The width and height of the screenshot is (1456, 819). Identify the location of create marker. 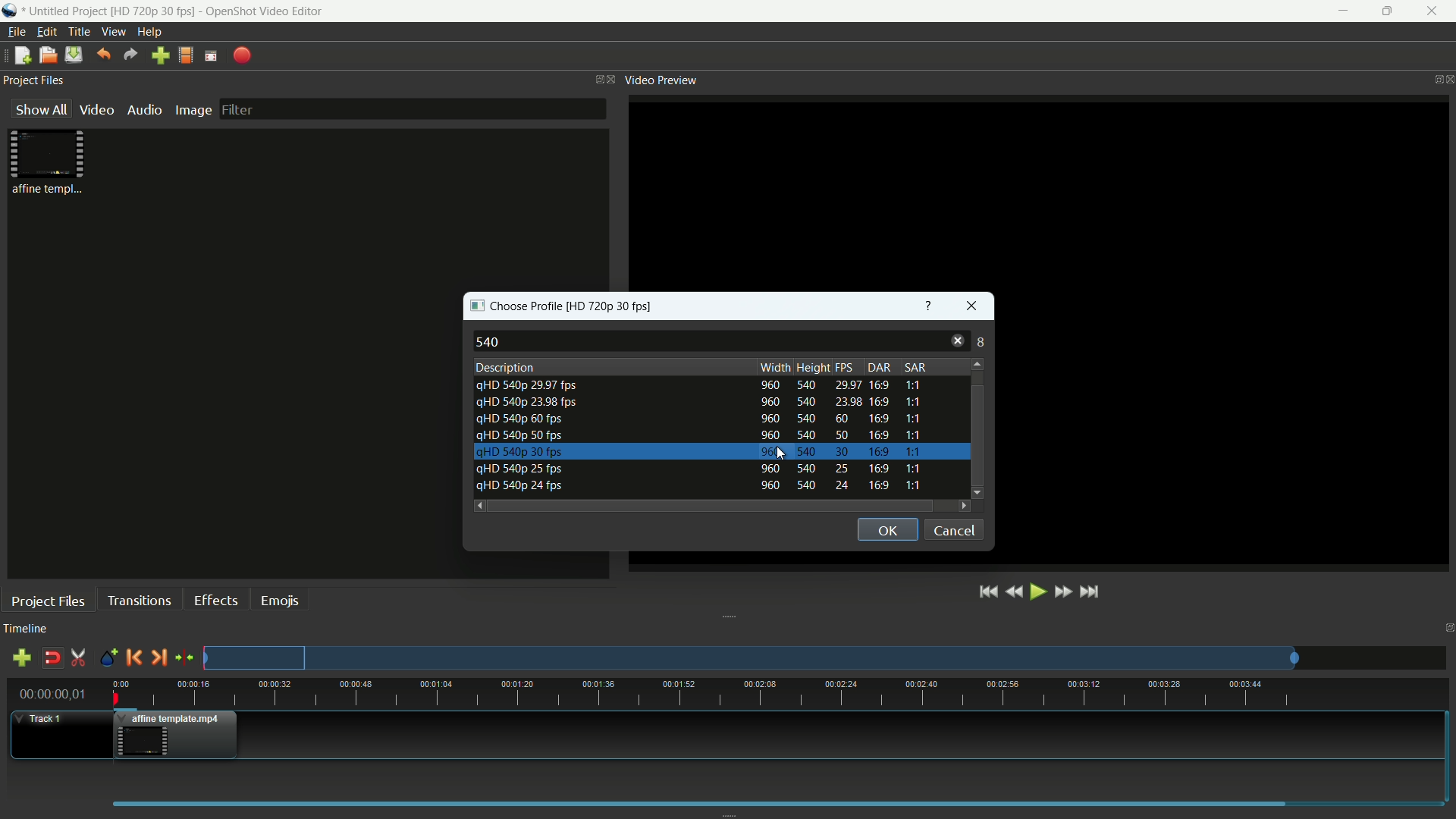
(106, 658).